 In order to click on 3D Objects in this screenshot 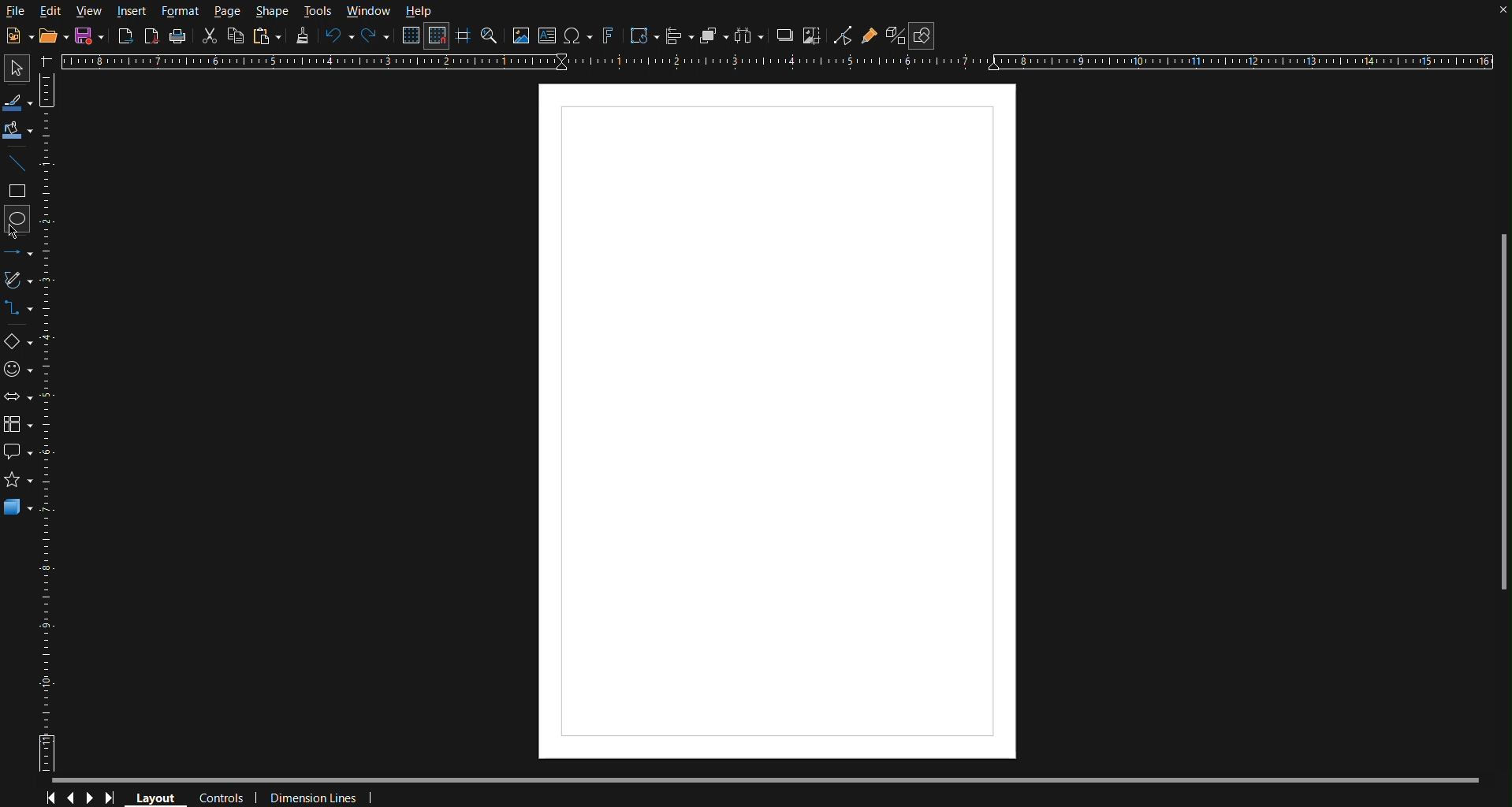, I will do `click(23, 508)`.